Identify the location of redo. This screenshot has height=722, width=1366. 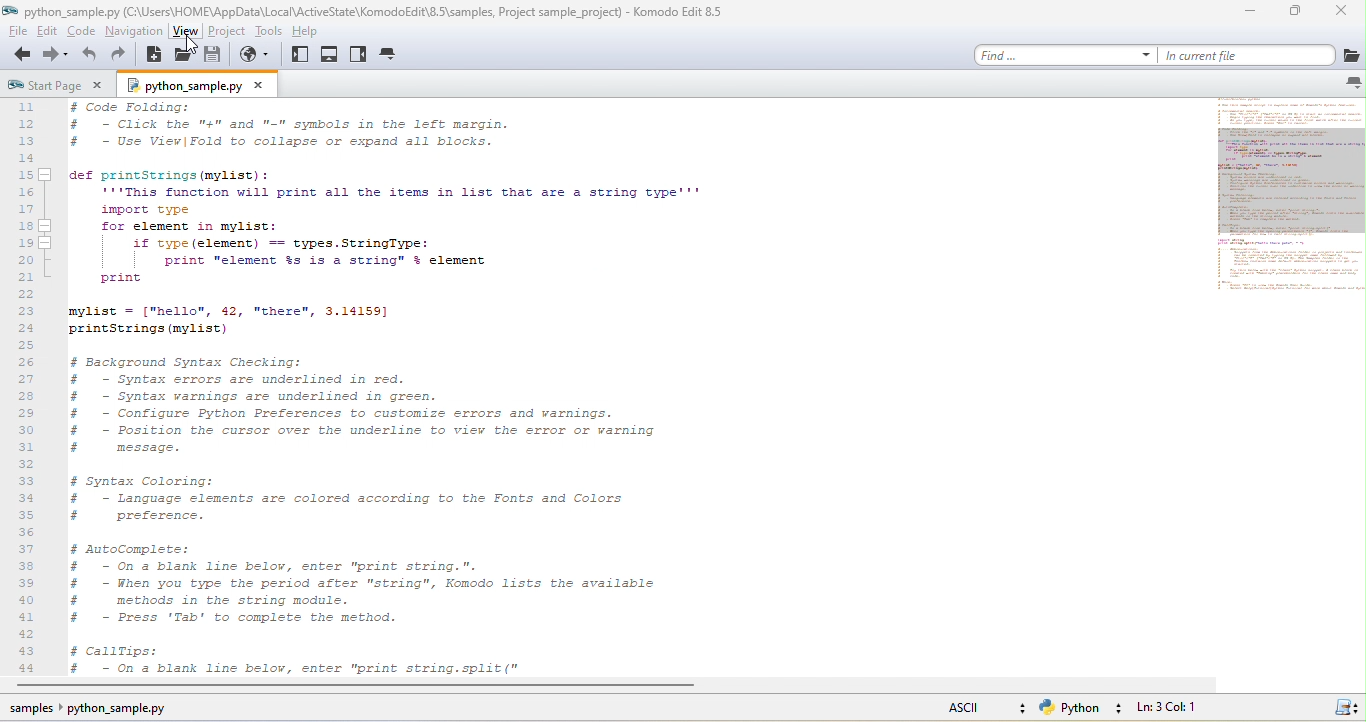
(120, 58).